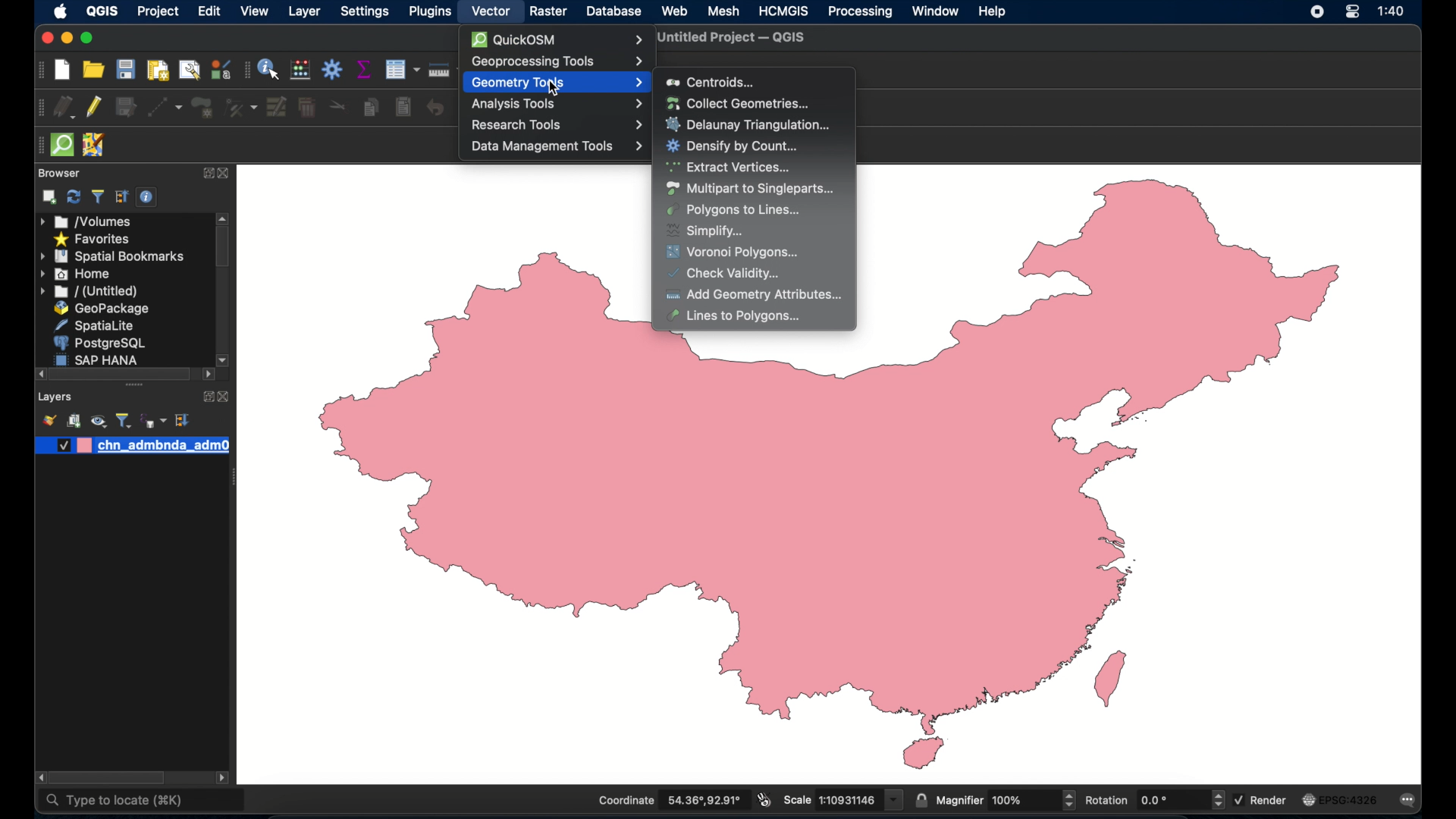 The height and width of the screenshot is (819, 1456). What do you see at coordinates (994, 13) in the screenshot?
I see `help` at bounding box center [994, 13].